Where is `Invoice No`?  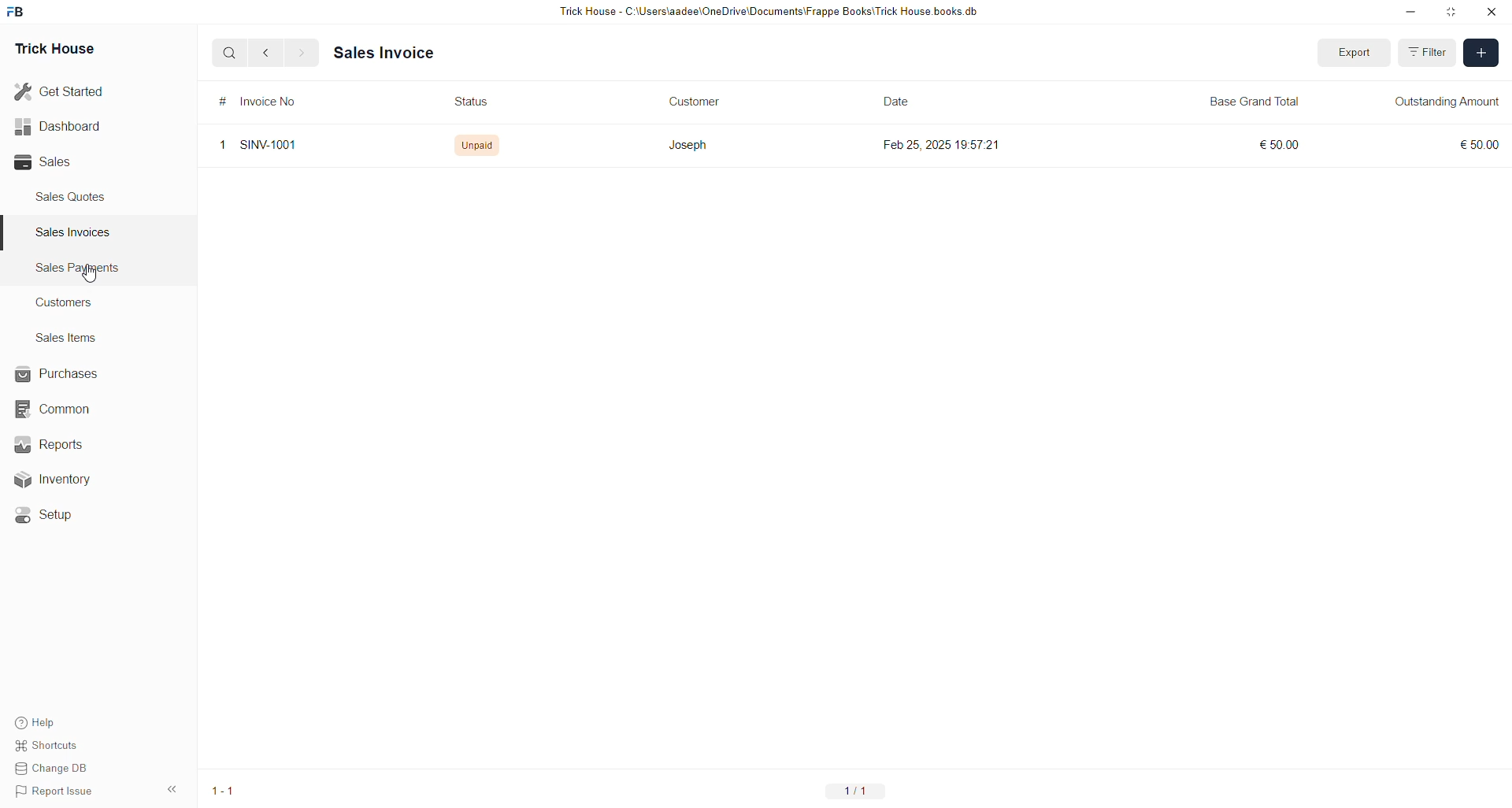 Invoice No is located at coordinates (271, 102).